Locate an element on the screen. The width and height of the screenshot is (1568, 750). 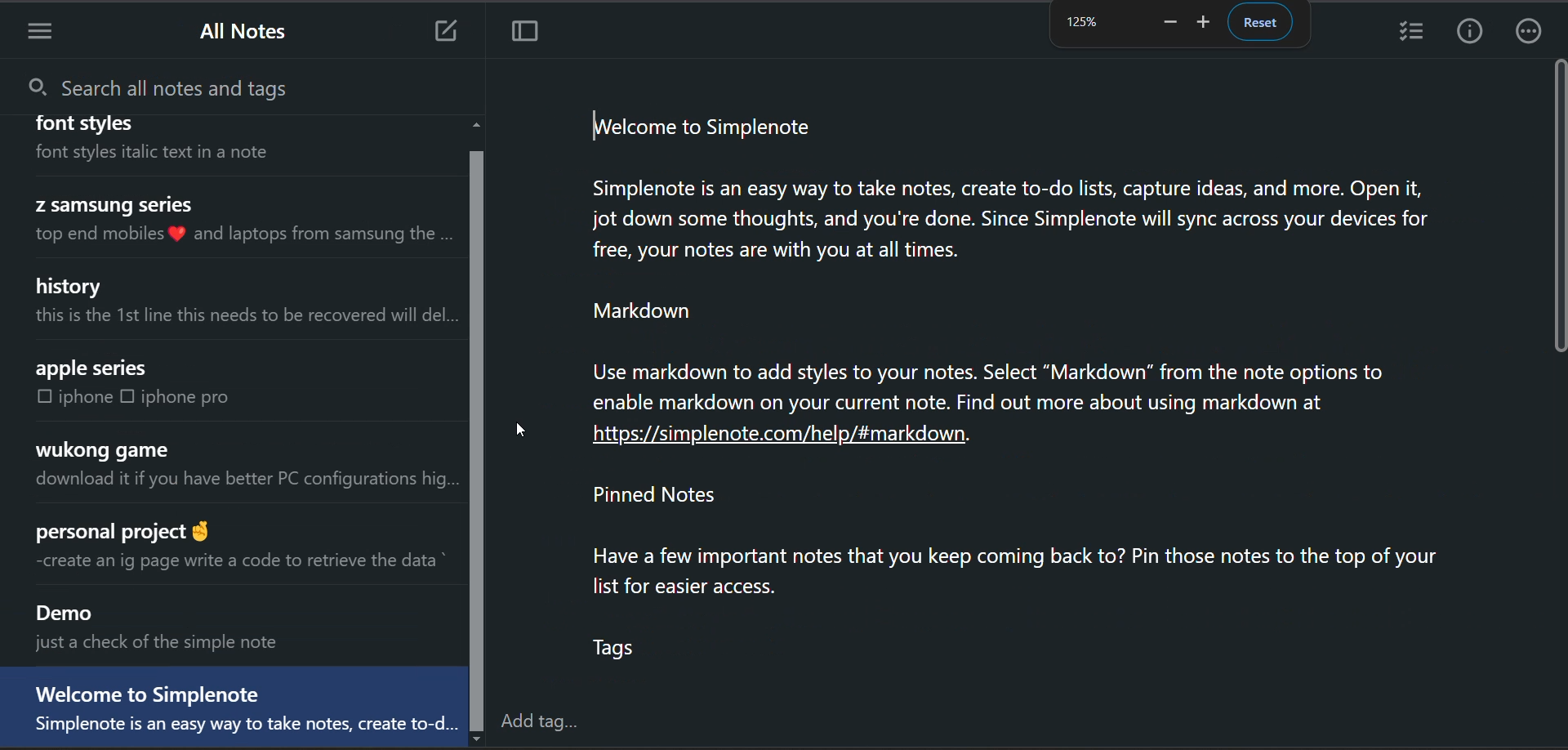
font stvles is located at coordinates (82, 119).